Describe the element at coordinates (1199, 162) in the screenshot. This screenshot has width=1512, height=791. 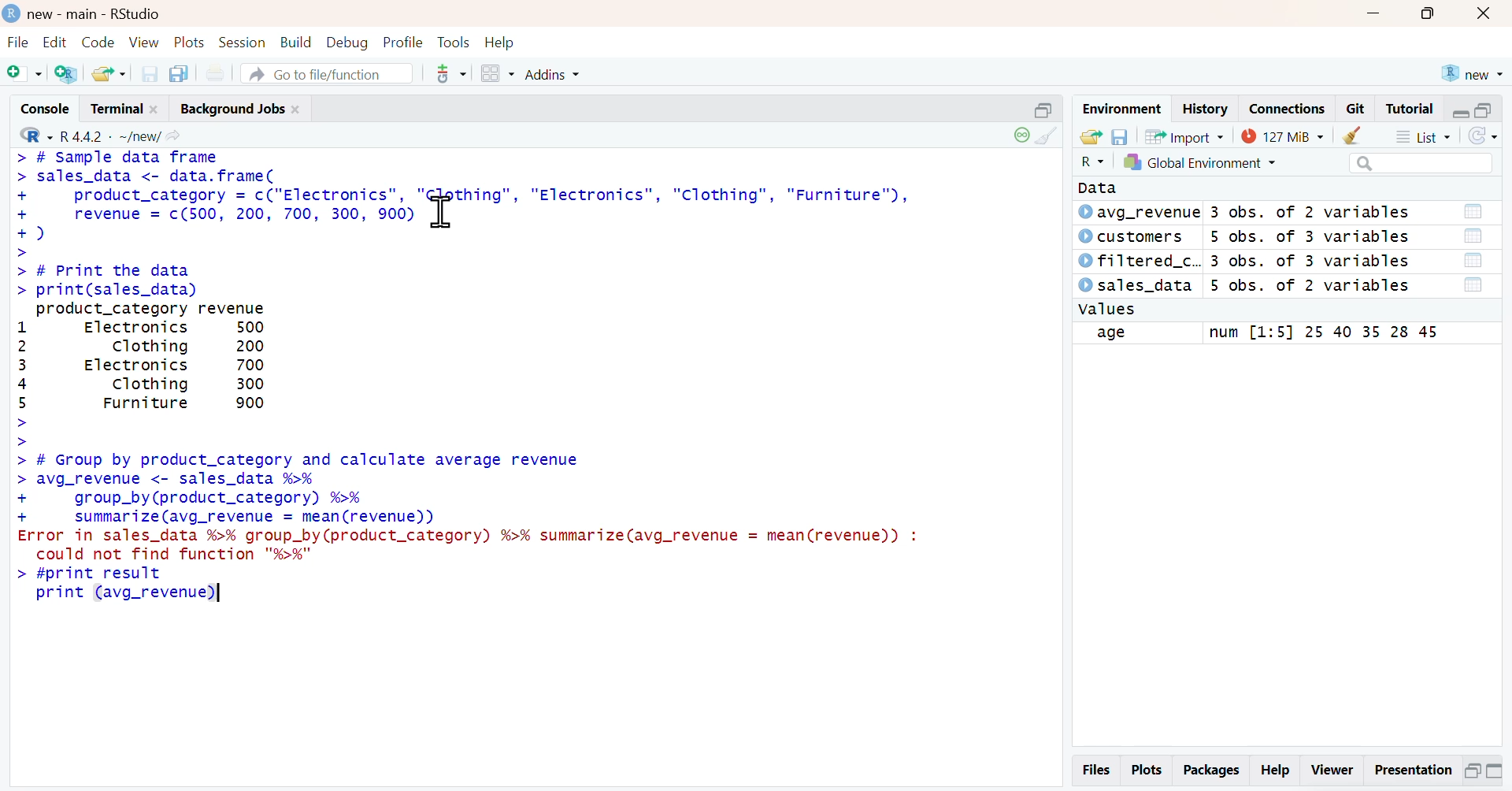
I see `Select Environment - Global Environment` at that location.